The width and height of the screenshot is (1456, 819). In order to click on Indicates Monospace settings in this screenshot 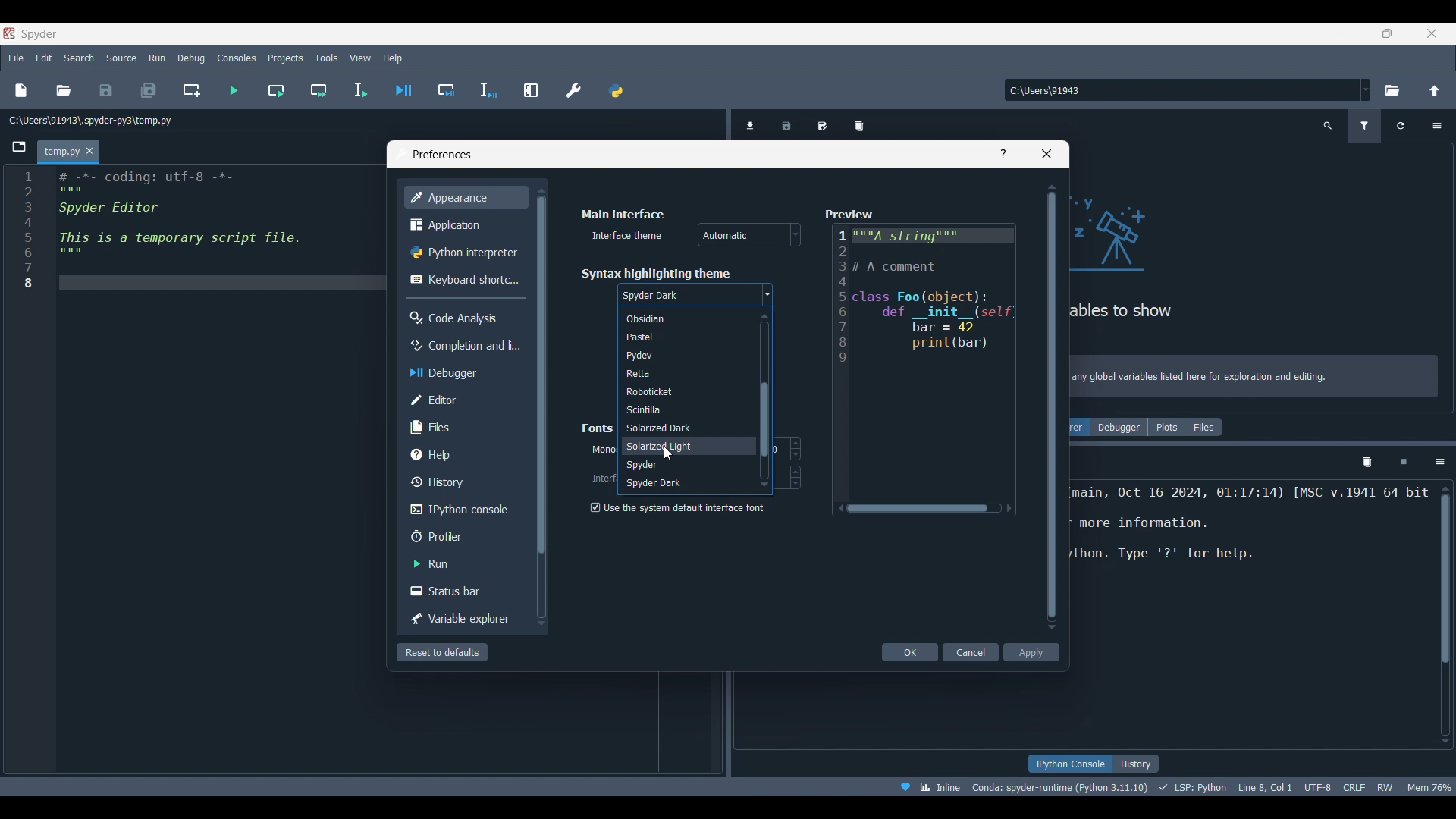, I will do `click(603, 450)`.